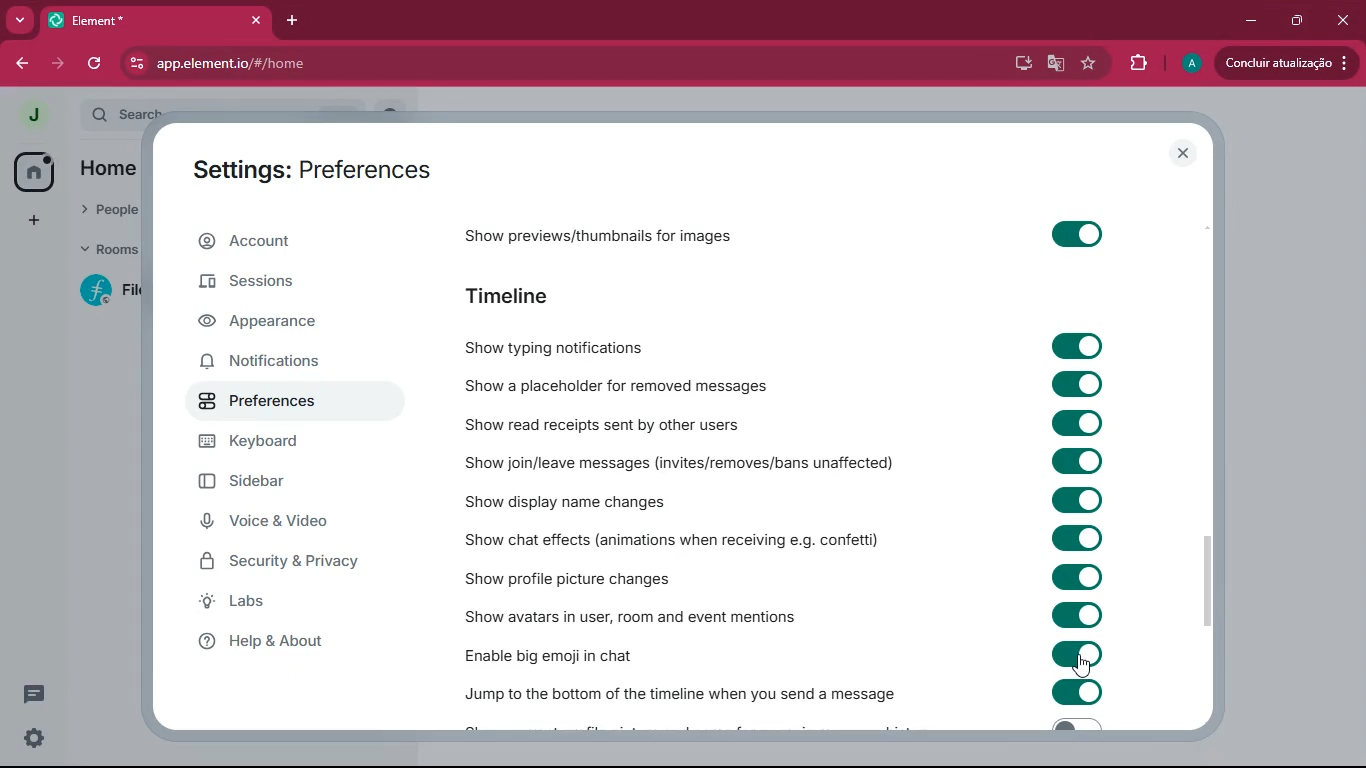 The width and height of the screenshot is (1366, 768). I want to click on help & about, so click(295, 645).